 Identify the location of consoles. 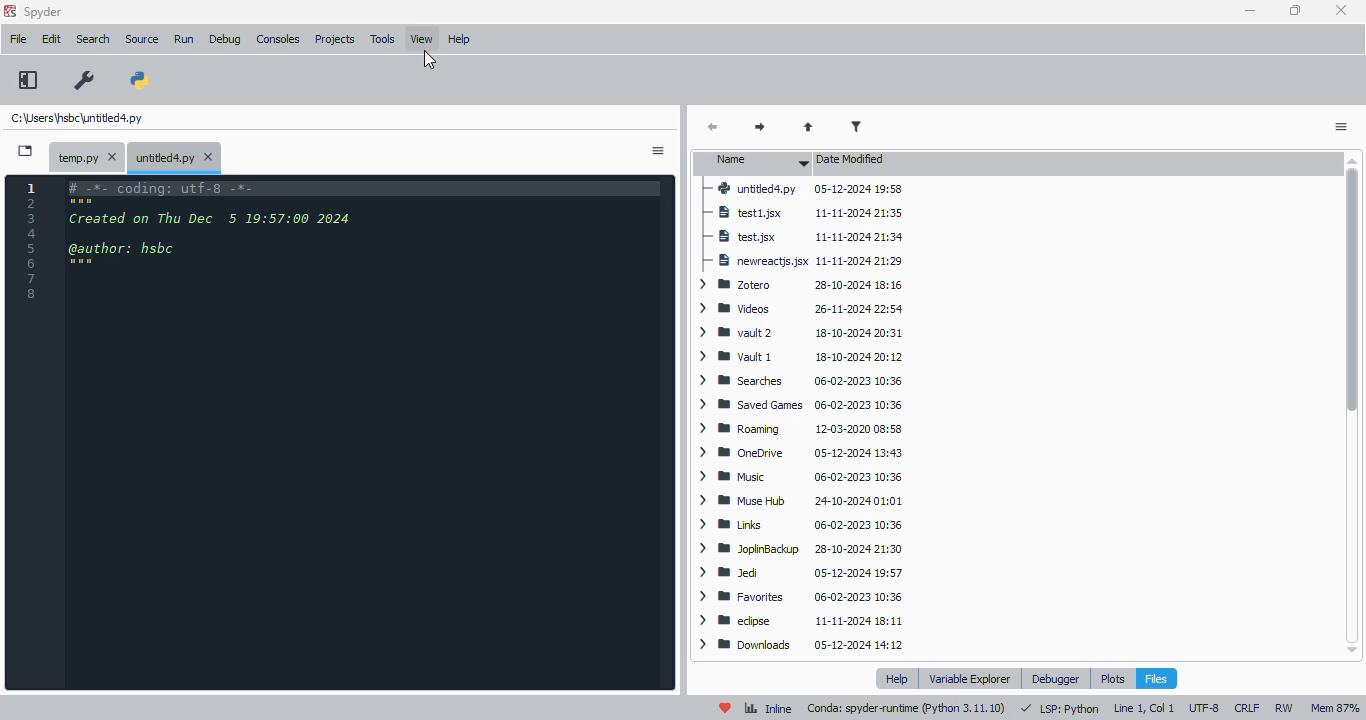
(278, 38).